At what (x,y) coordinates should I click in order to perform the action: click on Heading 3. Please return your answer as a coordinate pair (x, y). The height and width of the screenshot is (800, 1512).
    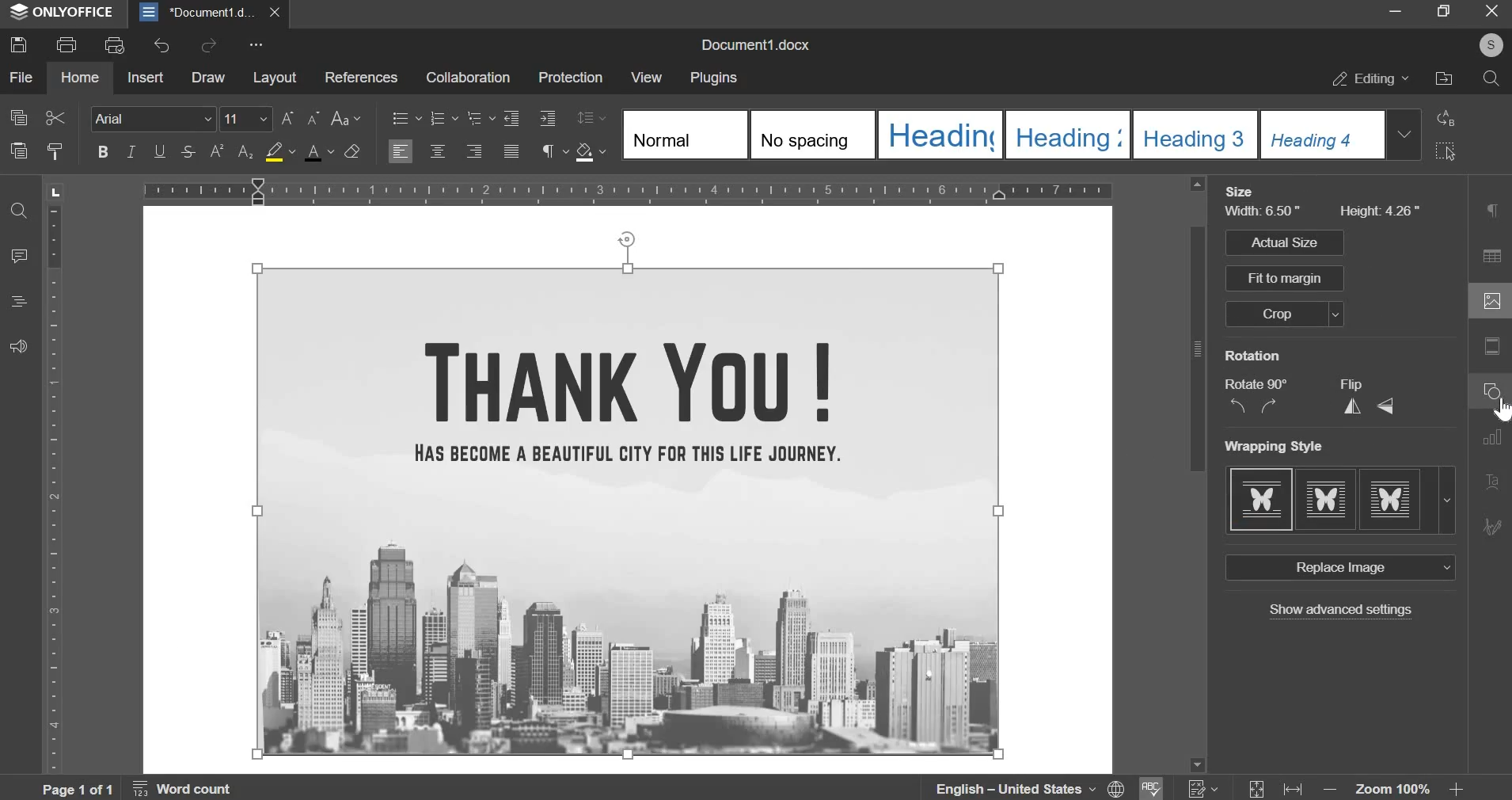
    Looking at the image, I should click on (1066, 135).